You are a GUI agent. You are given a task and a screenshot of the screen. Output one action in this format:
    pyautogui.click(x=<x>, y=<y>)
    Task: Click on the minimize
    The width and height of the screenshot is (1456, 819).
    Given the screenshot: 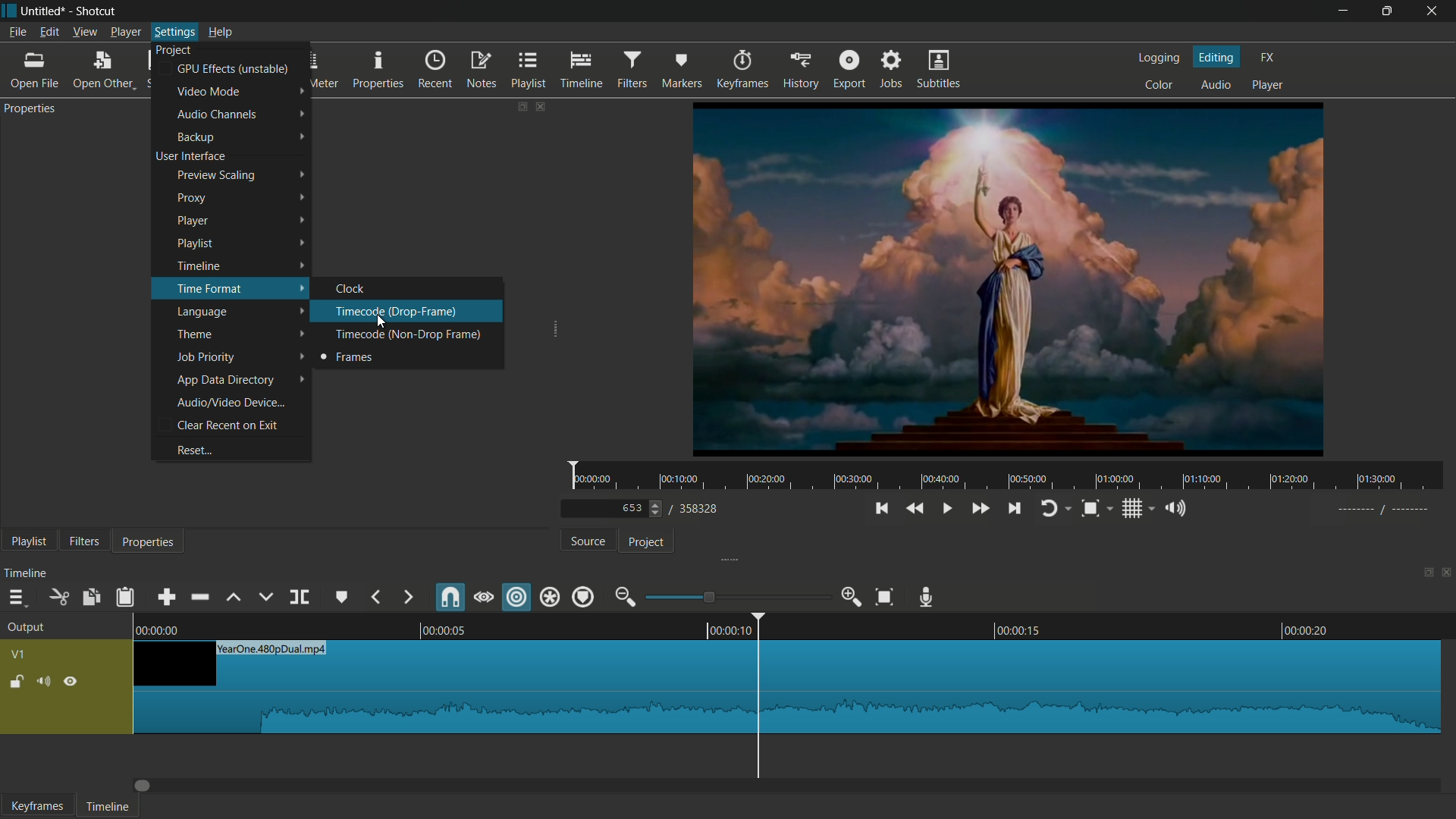 What is the action you would take?
    pyautogui.click(x=1341, y=11)
    